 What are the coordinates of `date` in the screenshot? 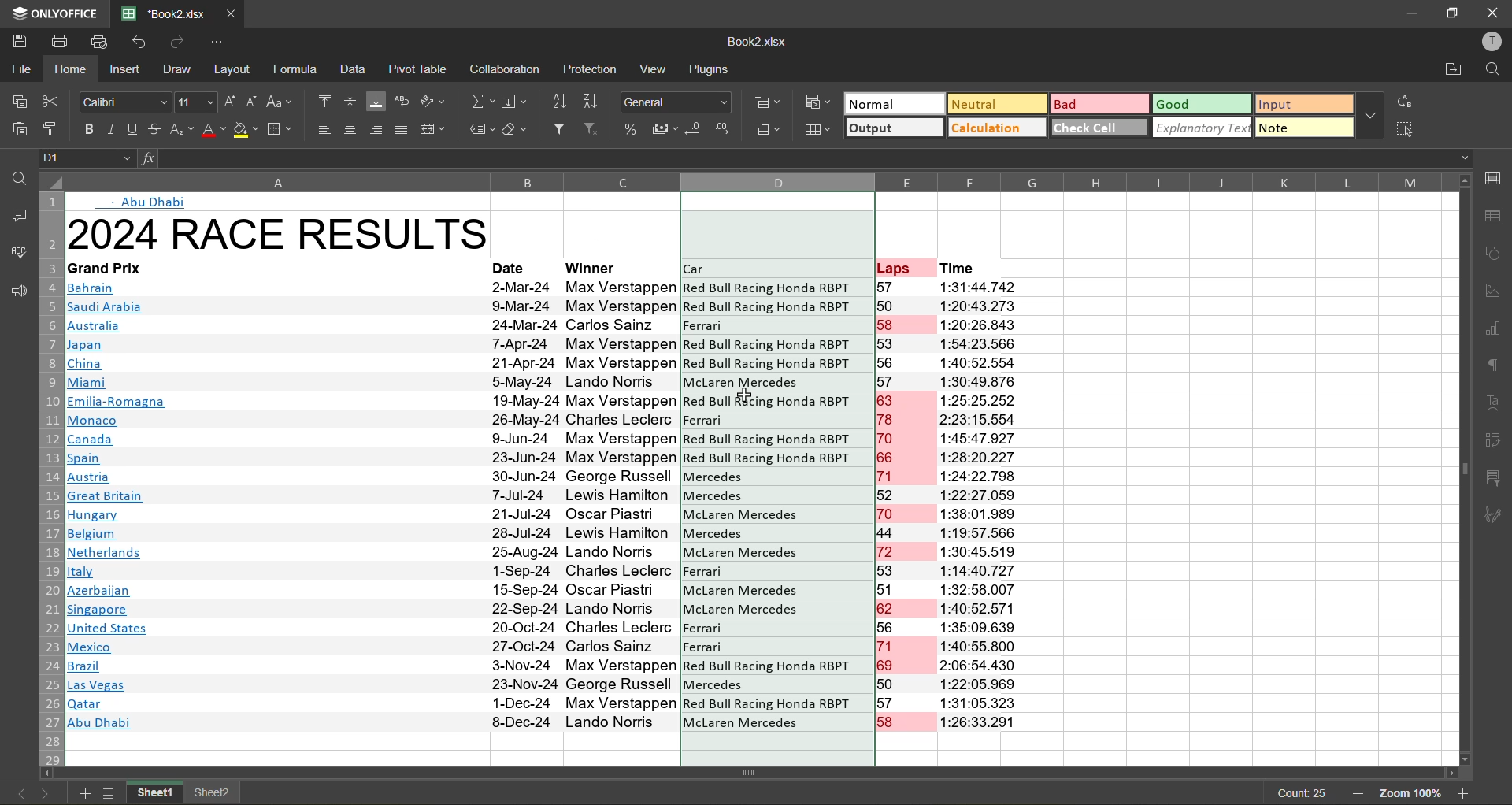 It's located at (514, 267).